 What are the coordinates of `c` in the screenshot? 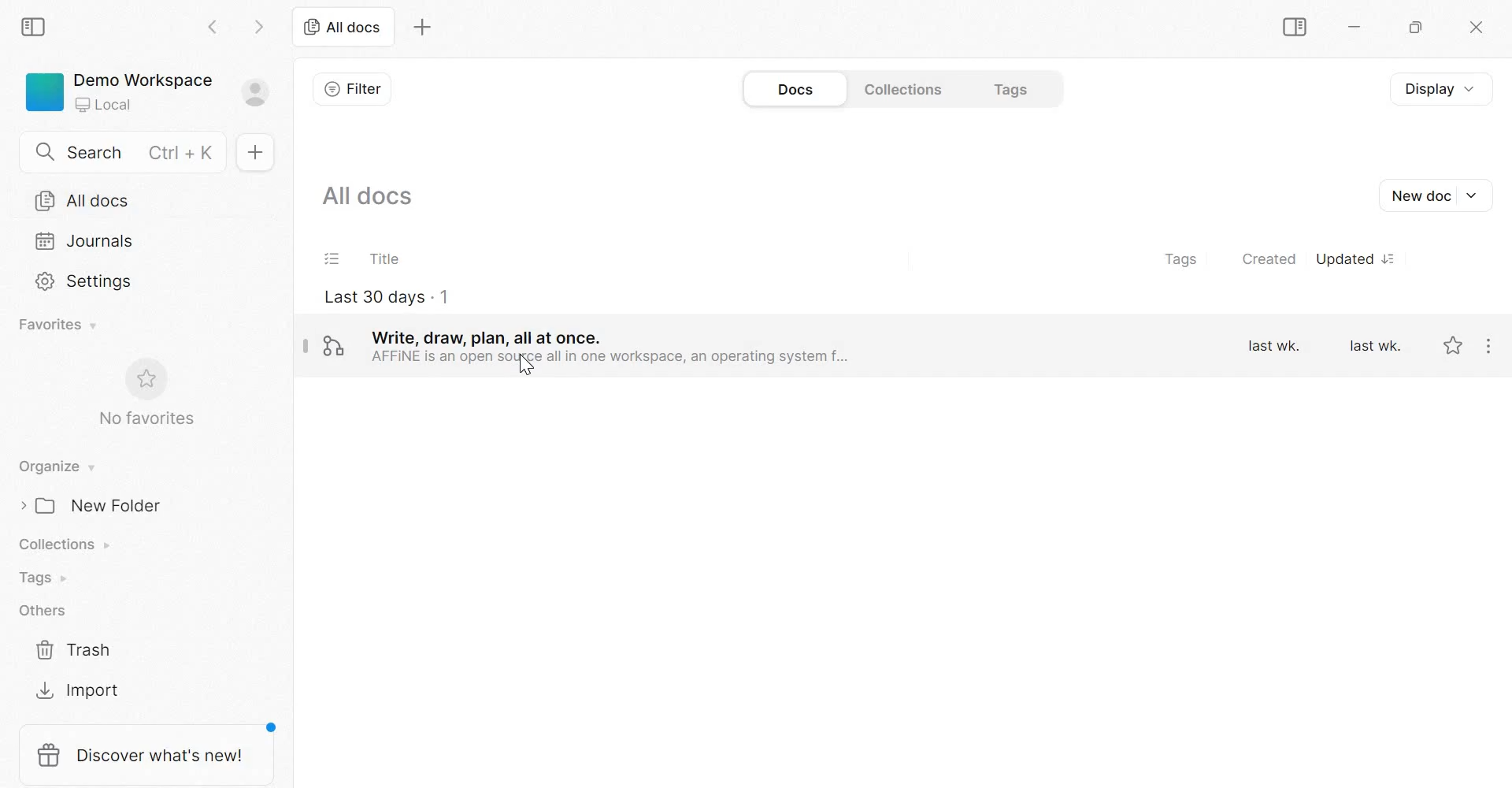 It's located at (1481, 28).